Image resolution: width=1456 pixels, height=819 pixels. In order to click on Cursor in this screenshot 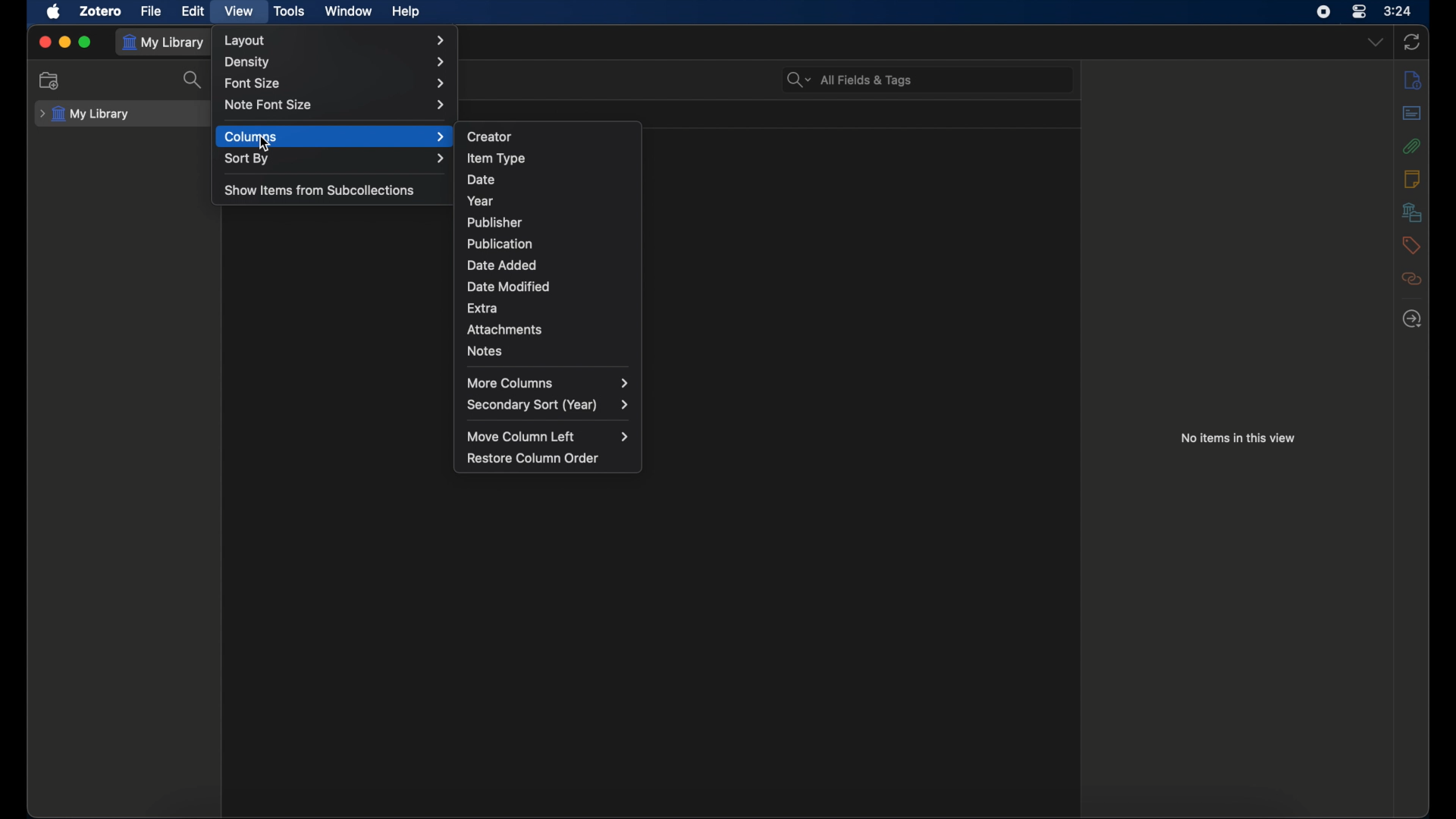, I will do `click(263, 145)`.